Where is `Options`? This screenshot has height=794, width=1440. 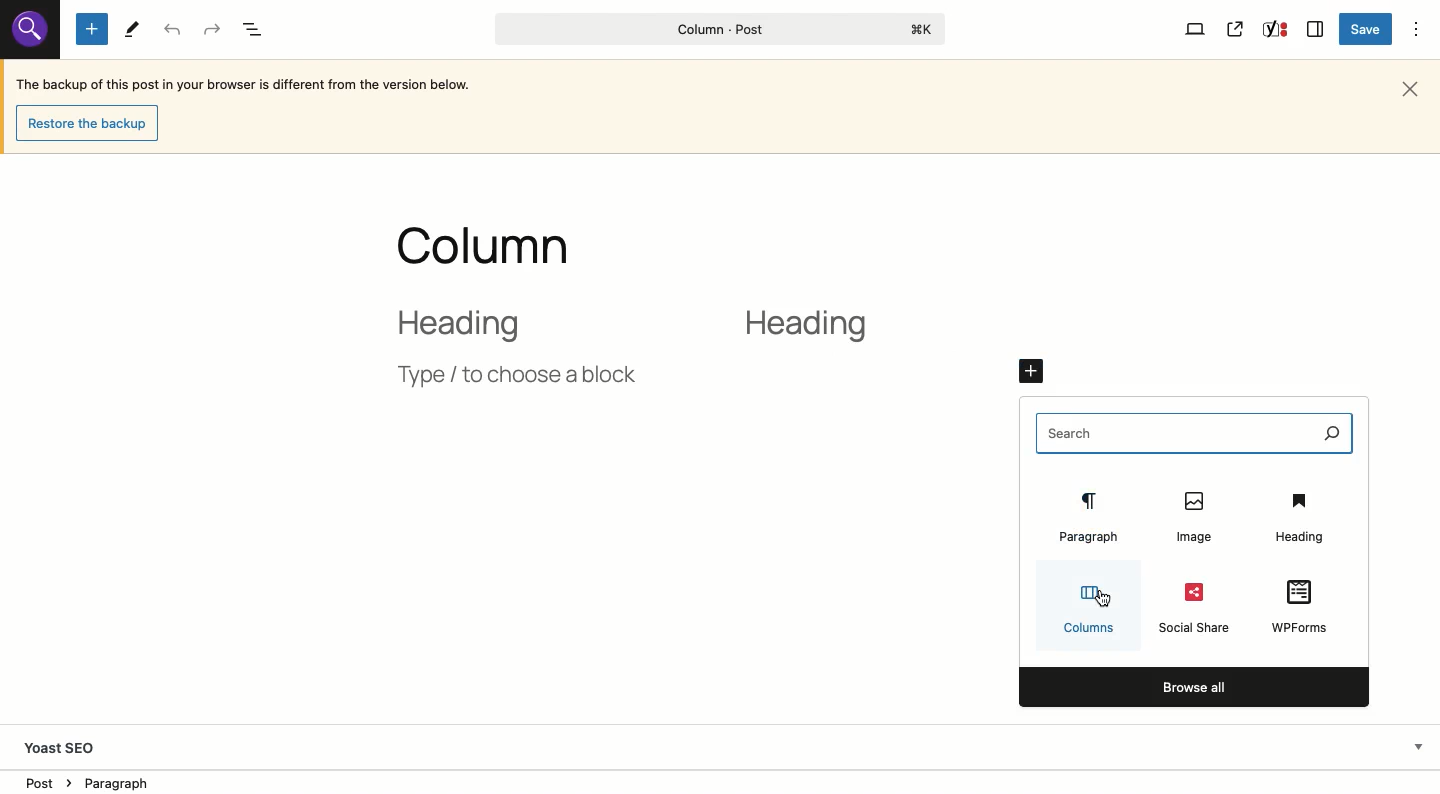 Options is located at coordinates (1418, 28).